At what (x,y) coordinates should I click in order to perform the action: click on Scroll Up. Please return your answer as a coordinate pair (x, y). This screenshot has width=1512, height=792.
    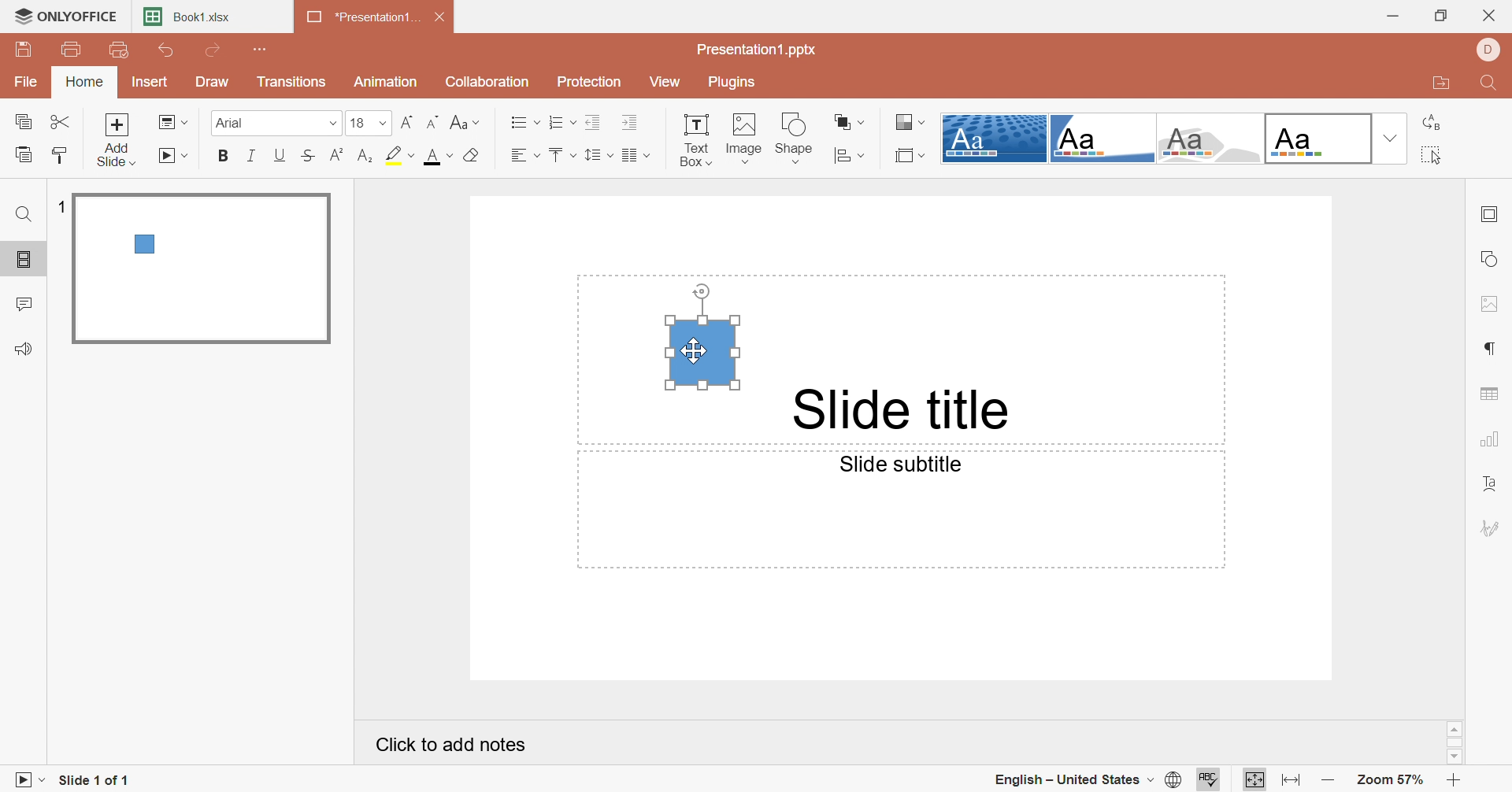
    Looking at the image, I should click on (1455, 728).